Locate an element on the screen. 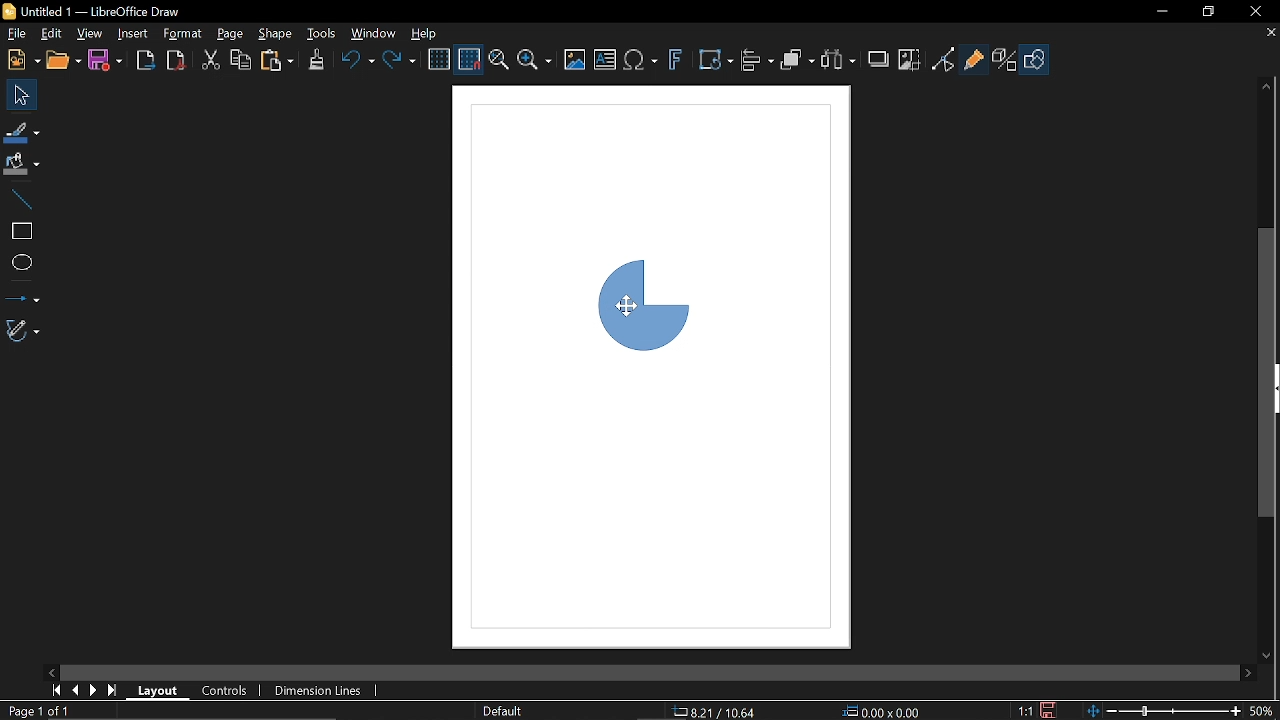 The height and width of the screenshot is (720, 1280). Quarter circle (Current diagram) is located at coordinates (642, 302).